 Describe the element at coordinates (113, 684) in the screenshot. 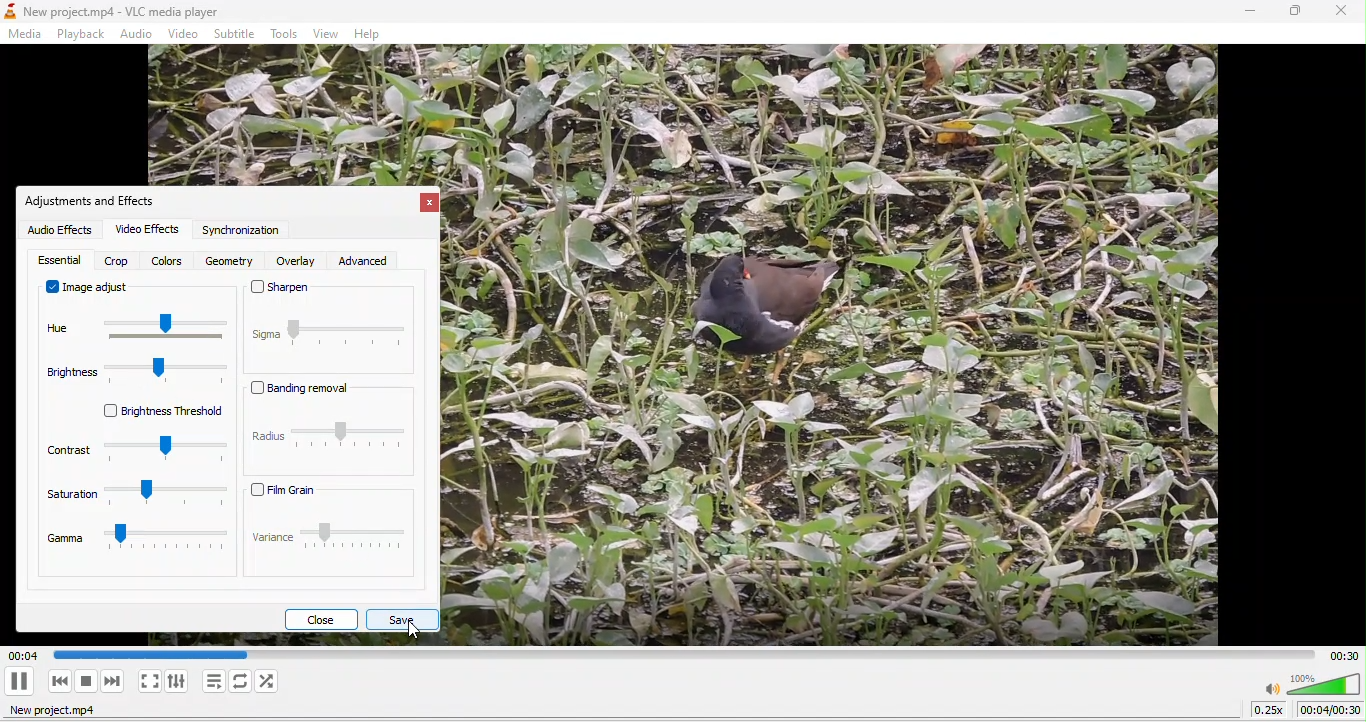

I see `next media` at that location.